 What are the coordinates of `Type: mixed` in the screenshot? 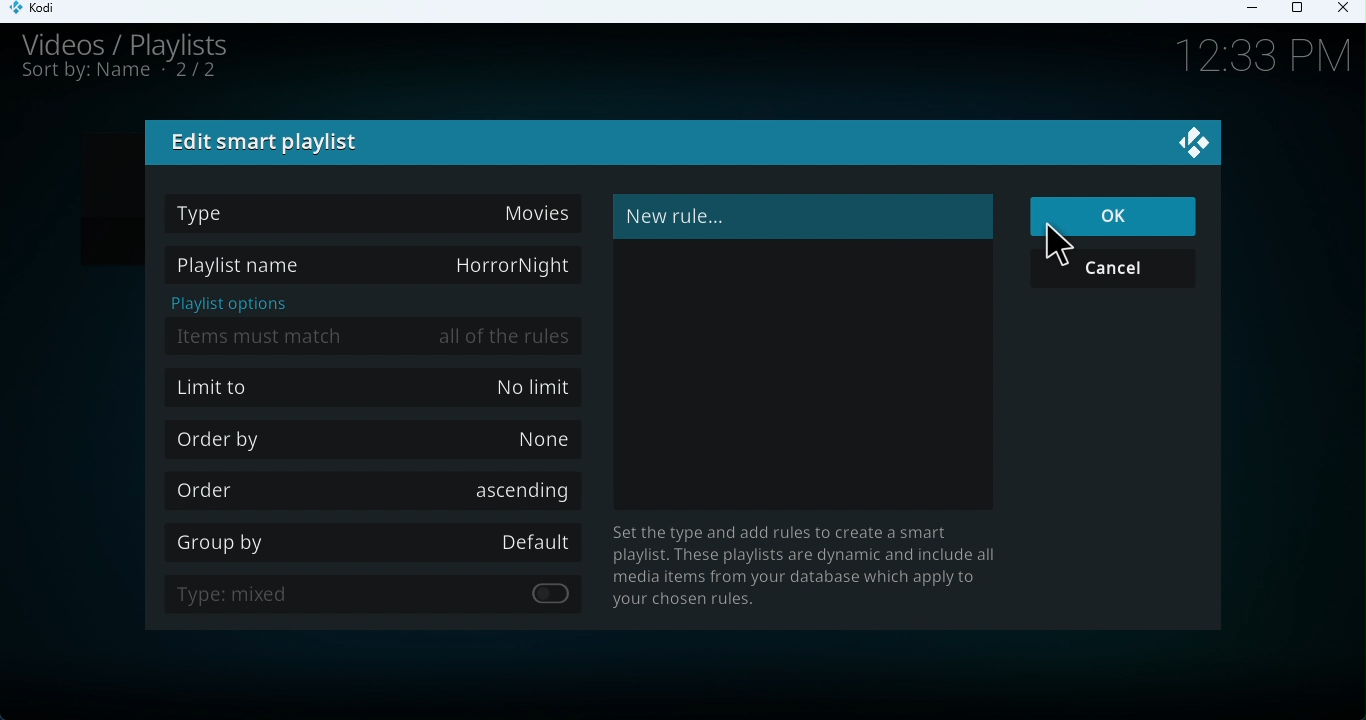 It's located at (384, 596).